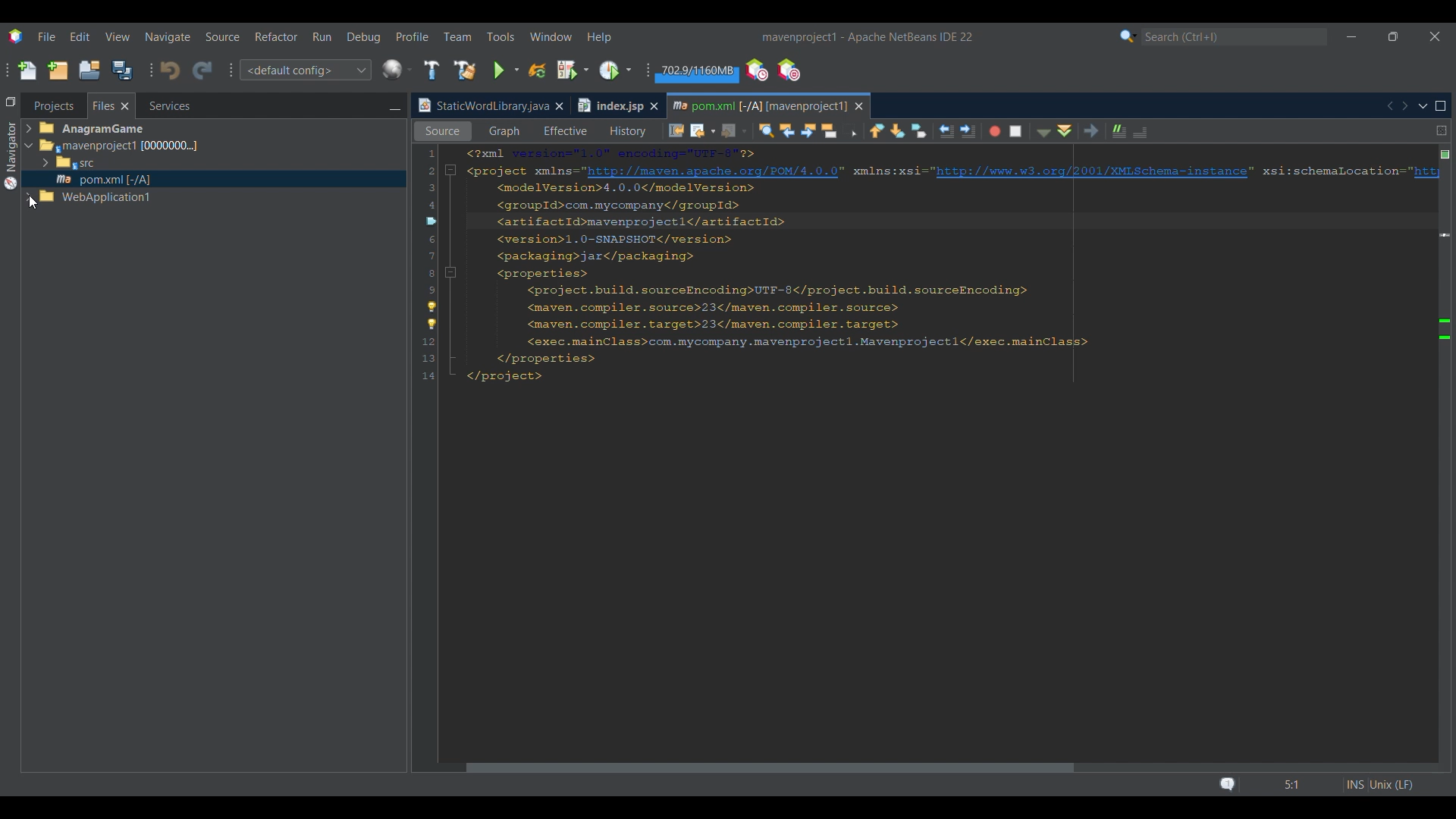 The image size is (1456, 819). I want to click on Debug main project, so click(573, 70).